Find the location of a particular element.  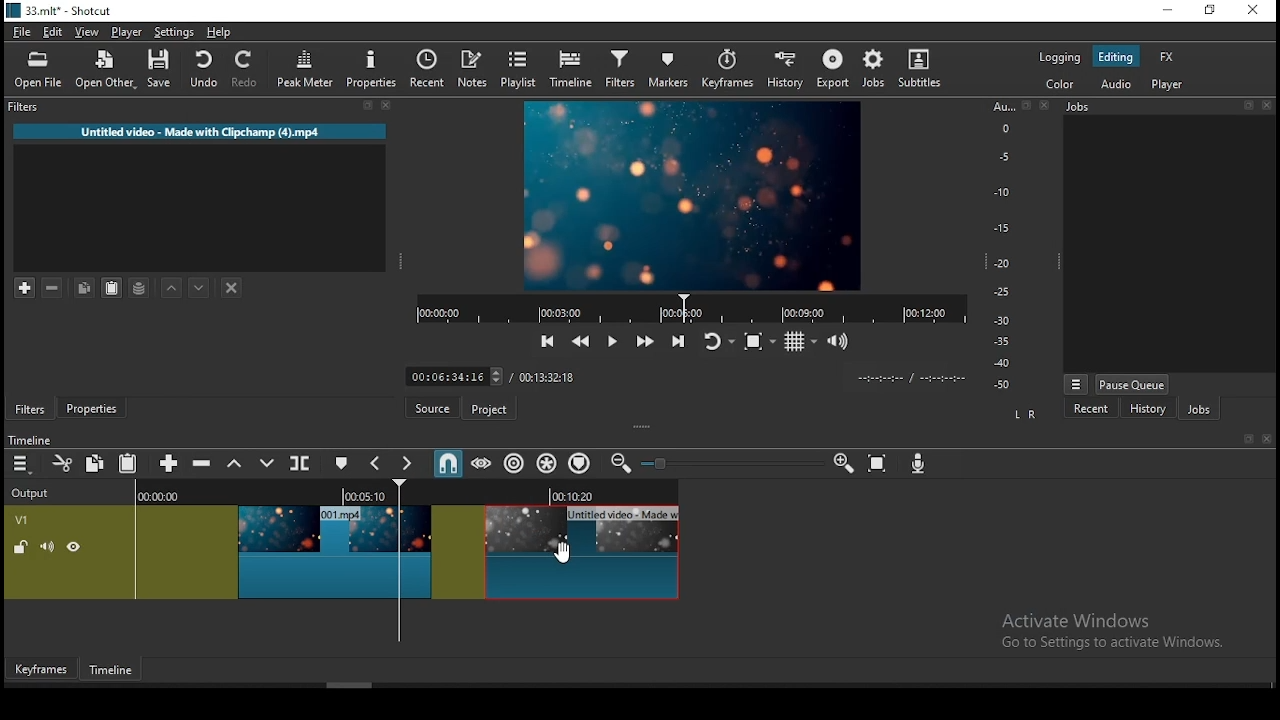

open other is located at coordinates (107, 74).